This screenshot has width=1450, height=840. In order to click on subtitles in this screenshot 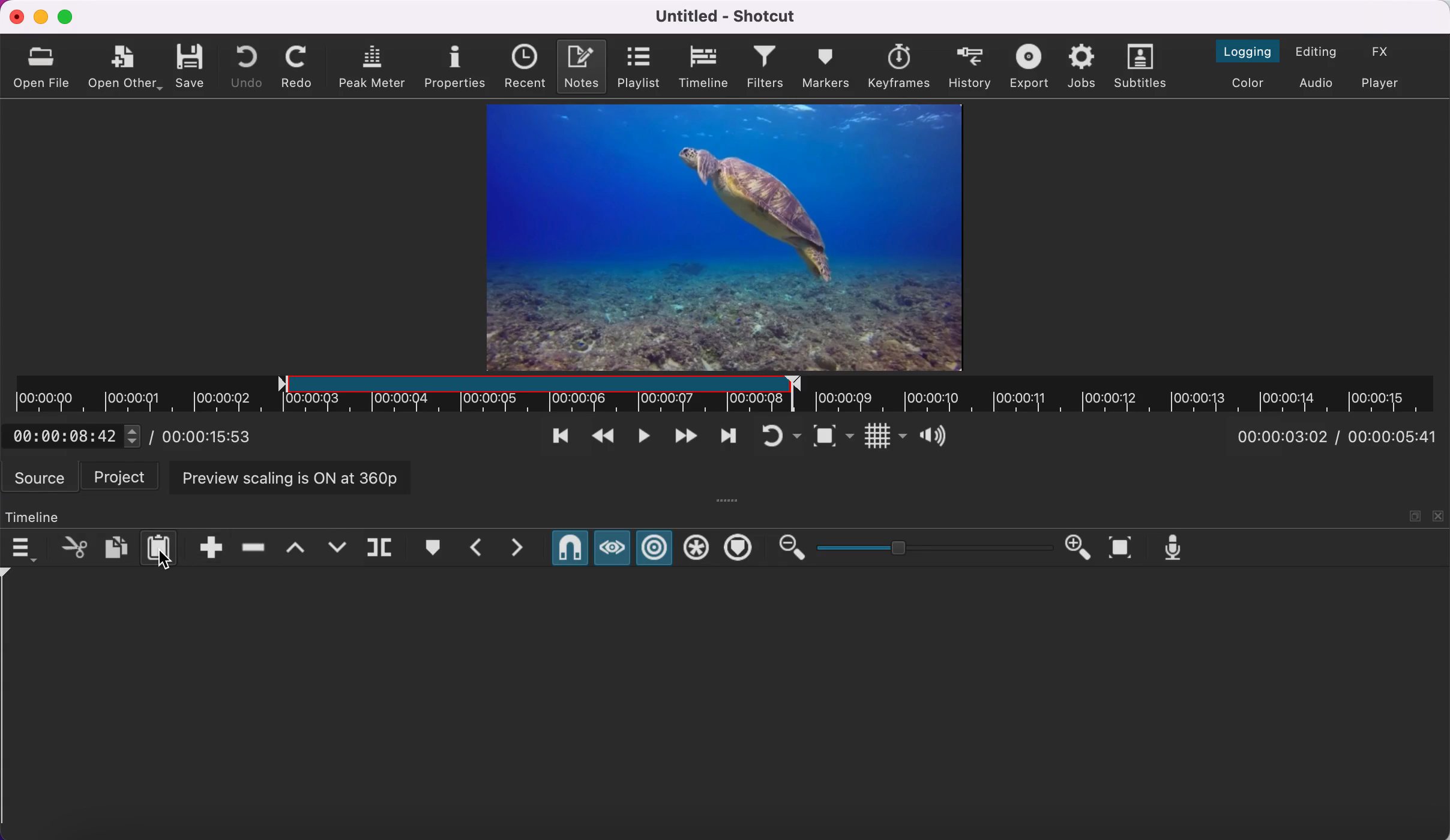, I will do `click(1145, 67)`.